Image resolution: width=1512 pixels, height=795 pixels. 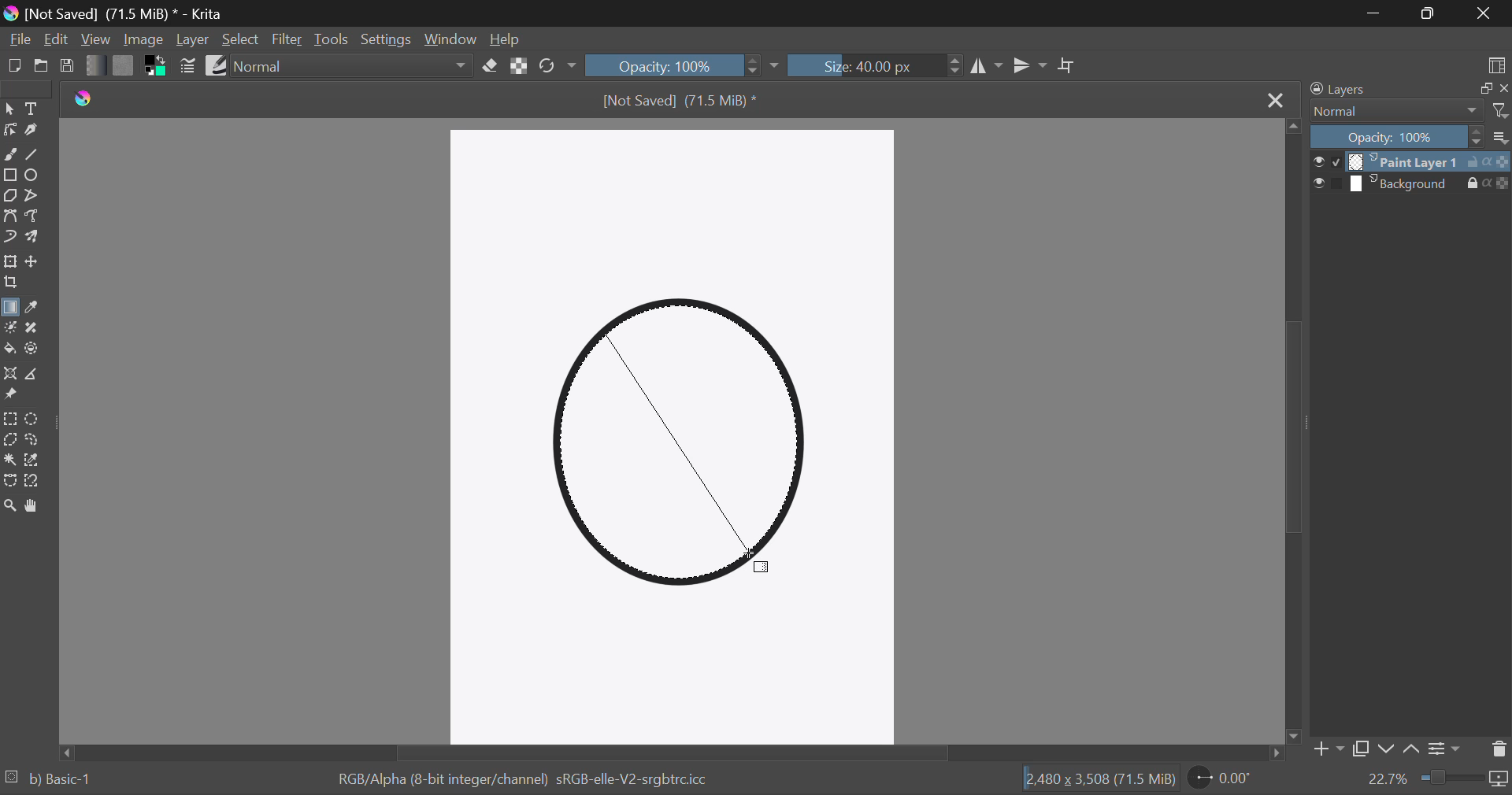 I want to click on Minimize, so click(x=1430, y=14).